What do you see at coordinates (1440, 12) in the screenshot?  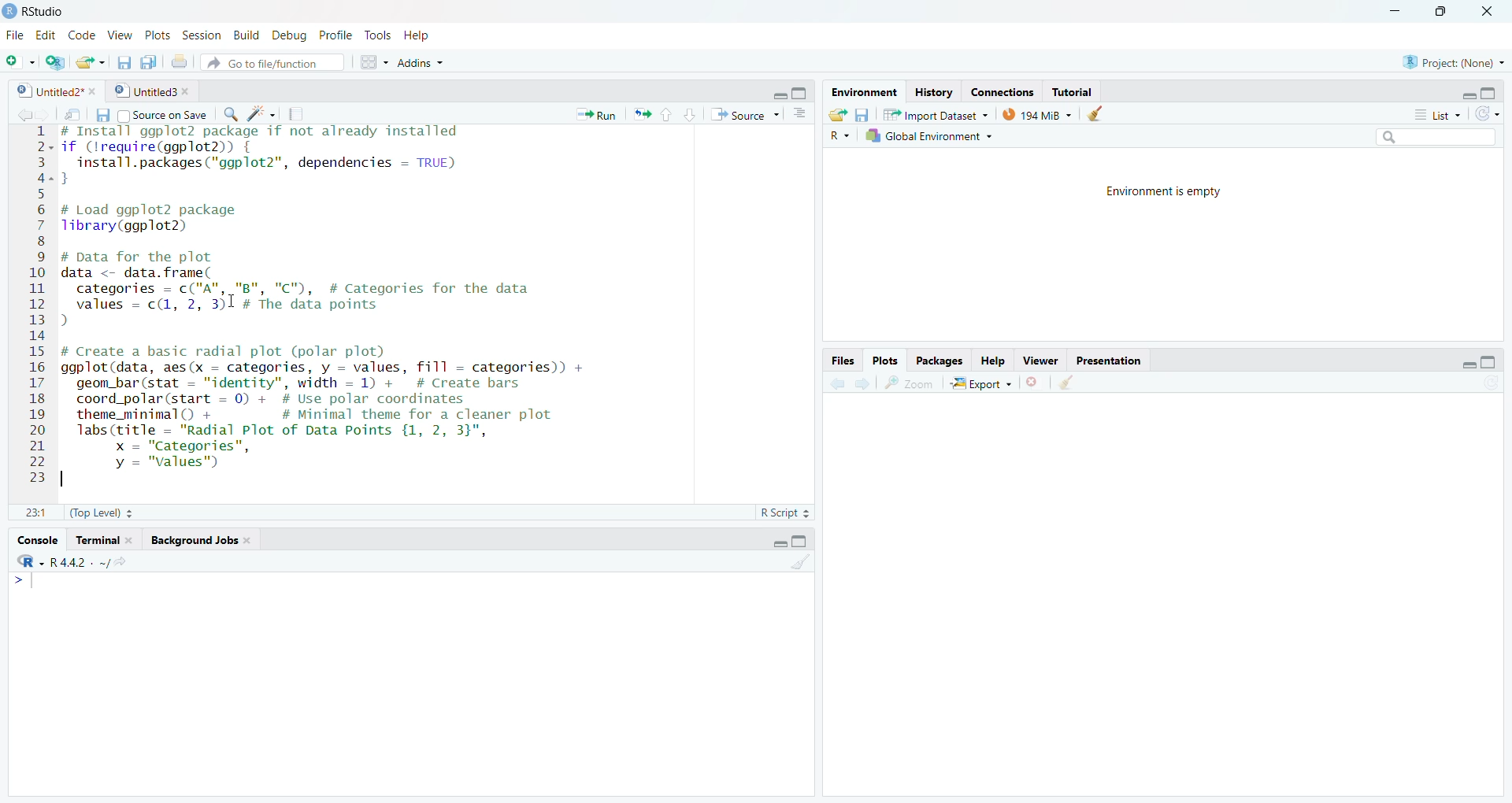 I see `Maximize` at bounding box center [1440, 12].